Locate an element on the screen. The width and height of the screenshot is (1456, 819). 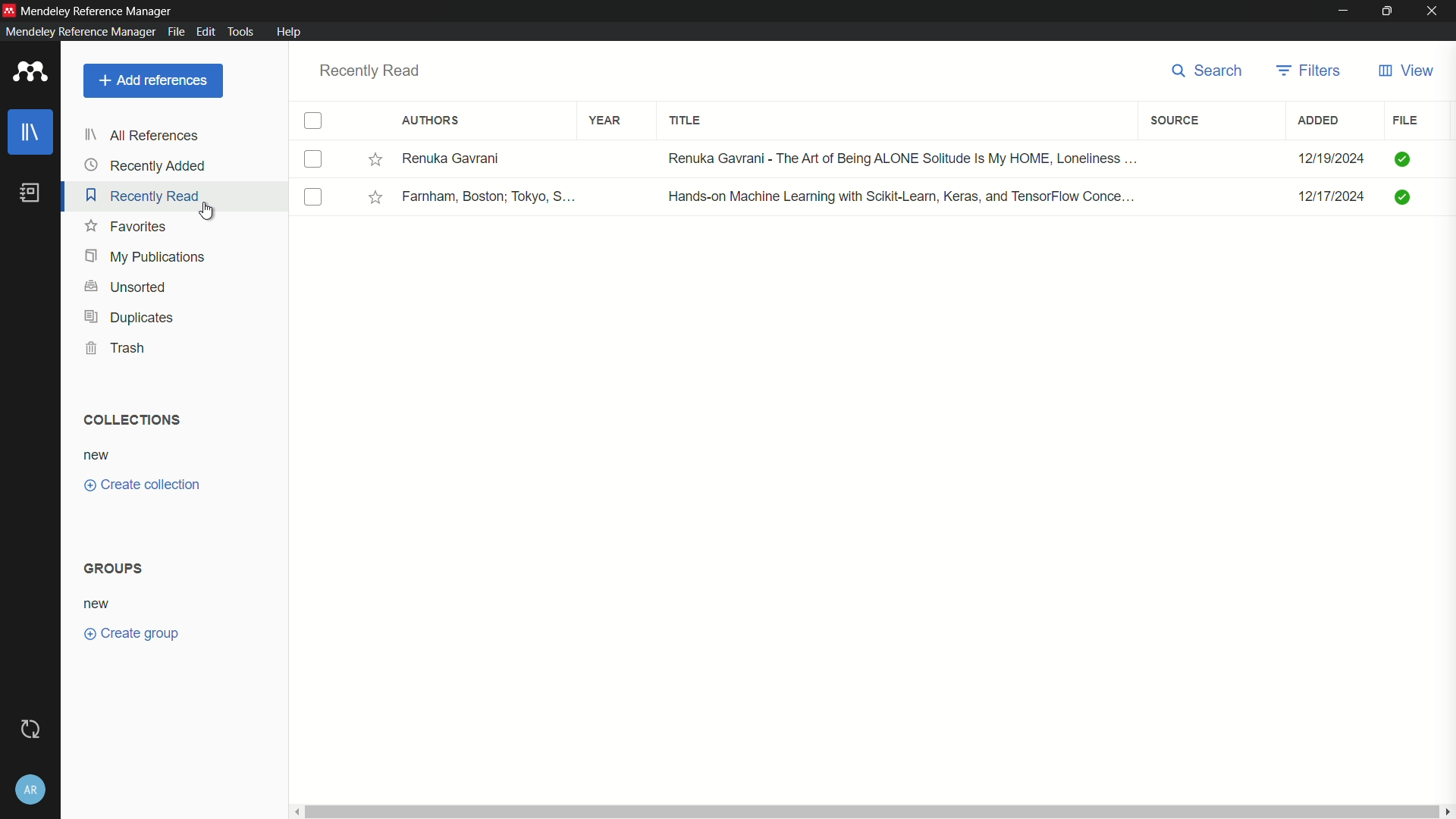
tools menu is located at coordinates (241, 32).